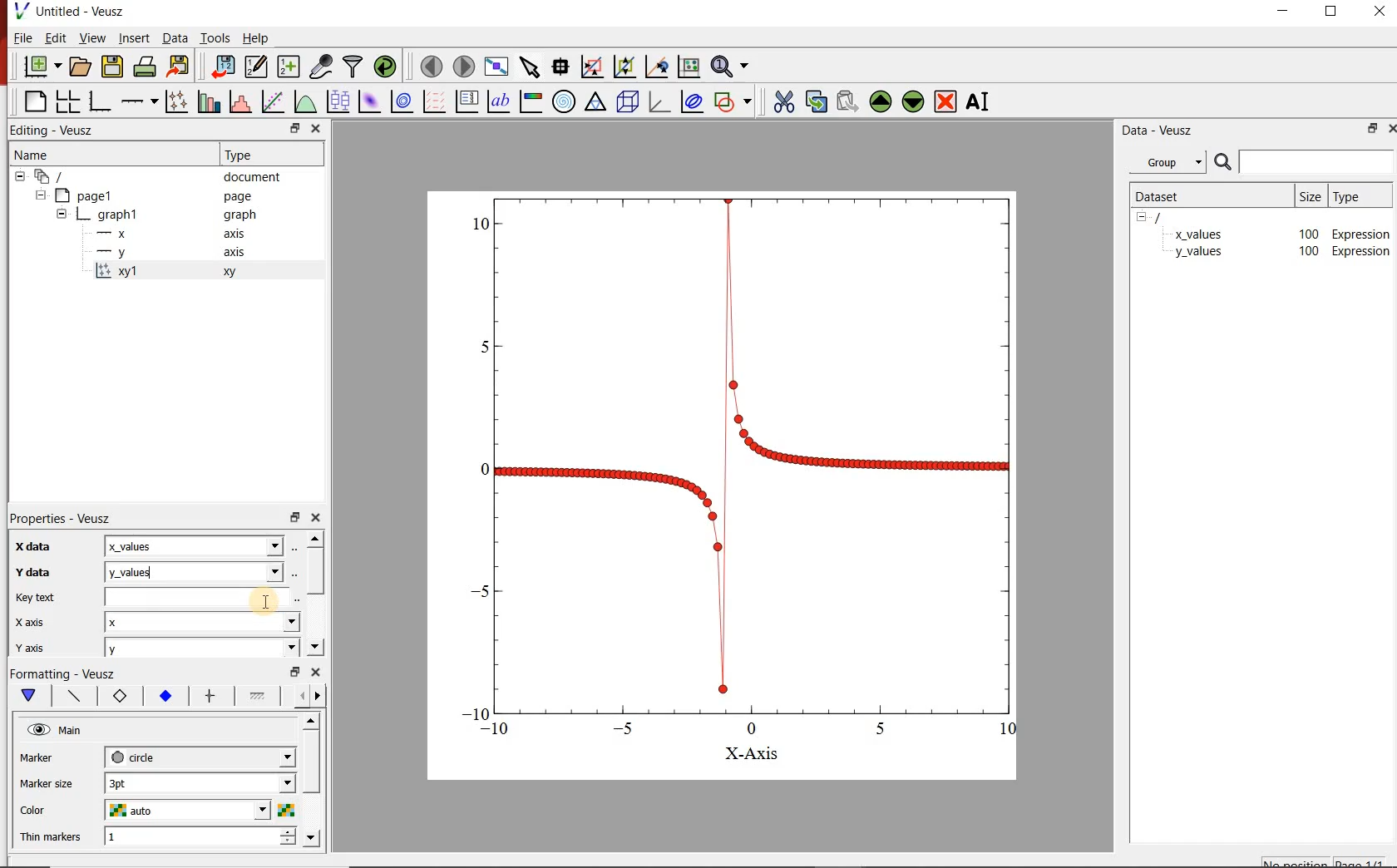 The width and height of the screenshot is (1397, 868). Describe the element at coordinates (234, 272) in the screenshot. I see `xy` at that location.